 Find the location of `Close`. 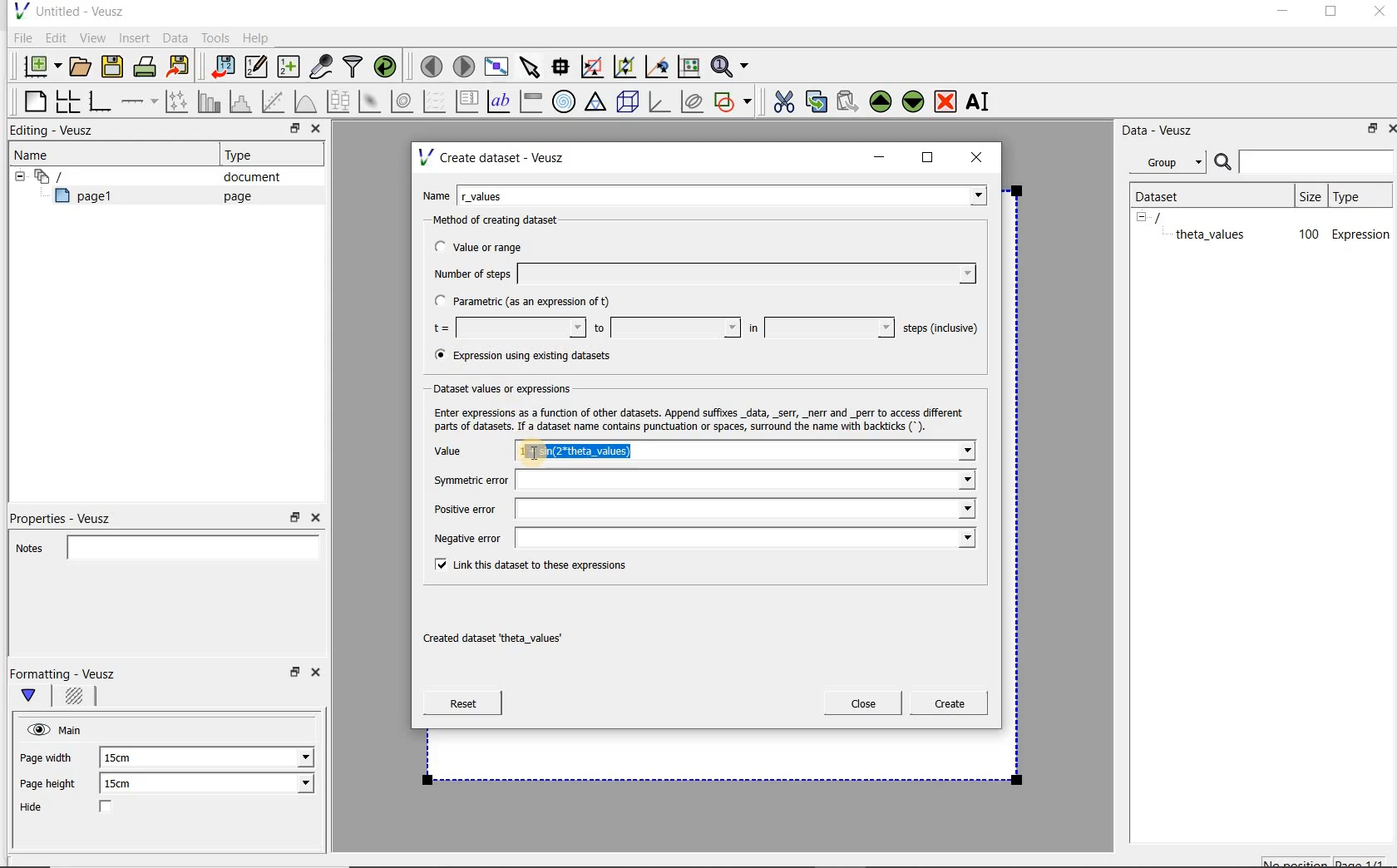

Close is located at coordinates (1389, 127).